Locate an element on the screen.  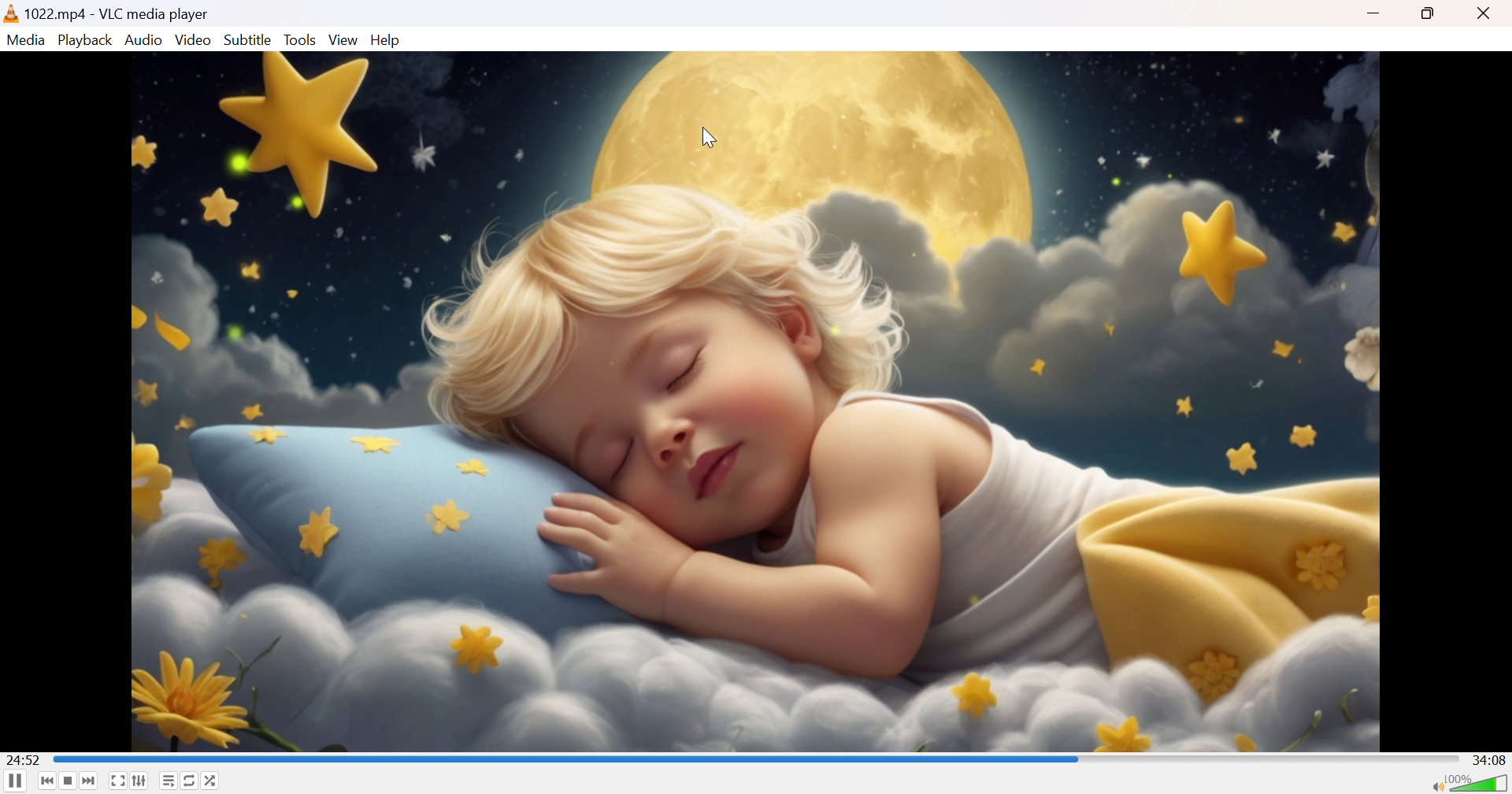
Mute is located at coordinates (1434, 785).